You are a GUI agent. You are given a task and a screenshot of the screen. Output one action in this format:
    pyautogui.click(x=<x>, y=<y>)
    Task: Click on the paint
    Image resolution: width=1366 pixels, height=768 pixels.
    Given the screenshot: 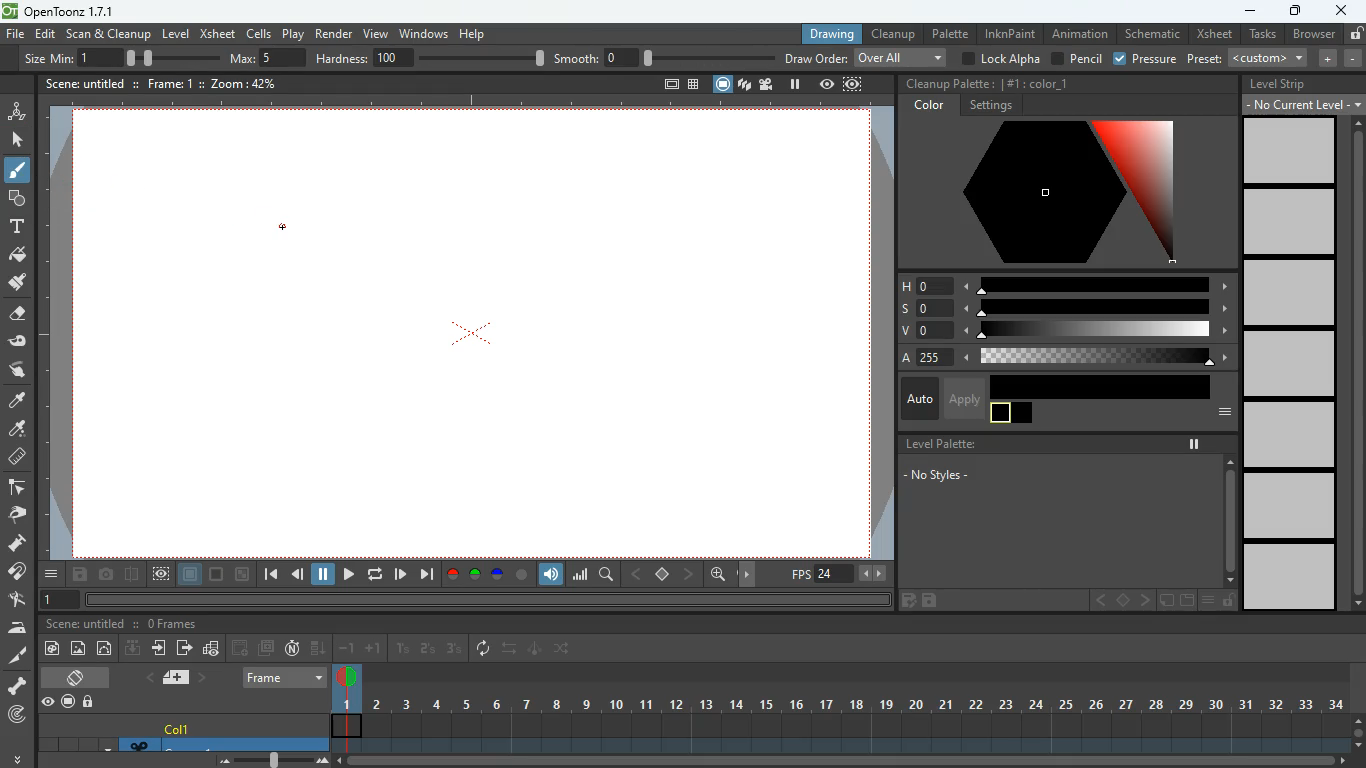 What is the action you would take?
    pyautogui.click(x=15, y=430)
    